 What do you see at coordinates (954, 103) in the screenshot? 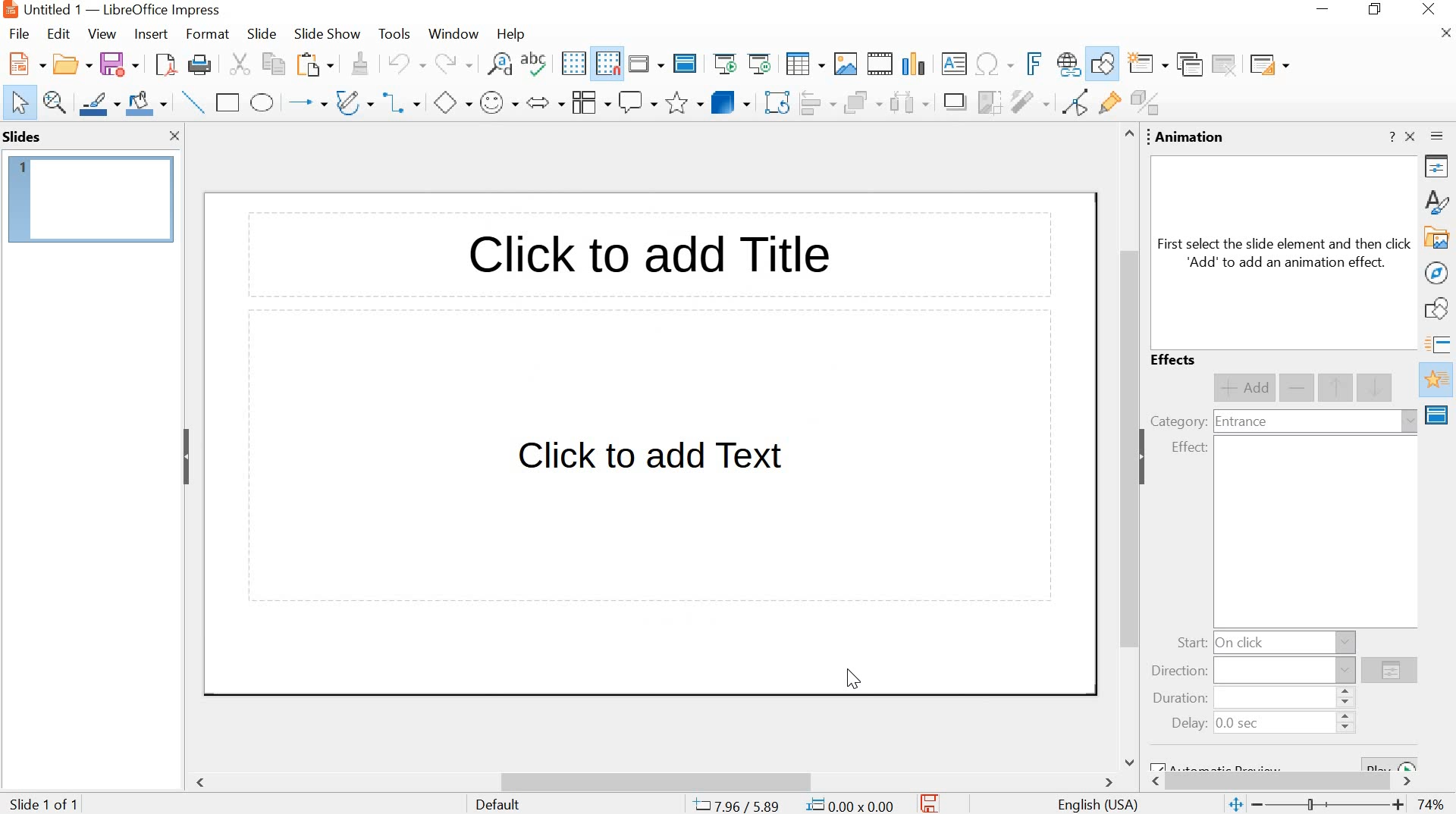
I see `shadow` at bounding box center [954, 103].